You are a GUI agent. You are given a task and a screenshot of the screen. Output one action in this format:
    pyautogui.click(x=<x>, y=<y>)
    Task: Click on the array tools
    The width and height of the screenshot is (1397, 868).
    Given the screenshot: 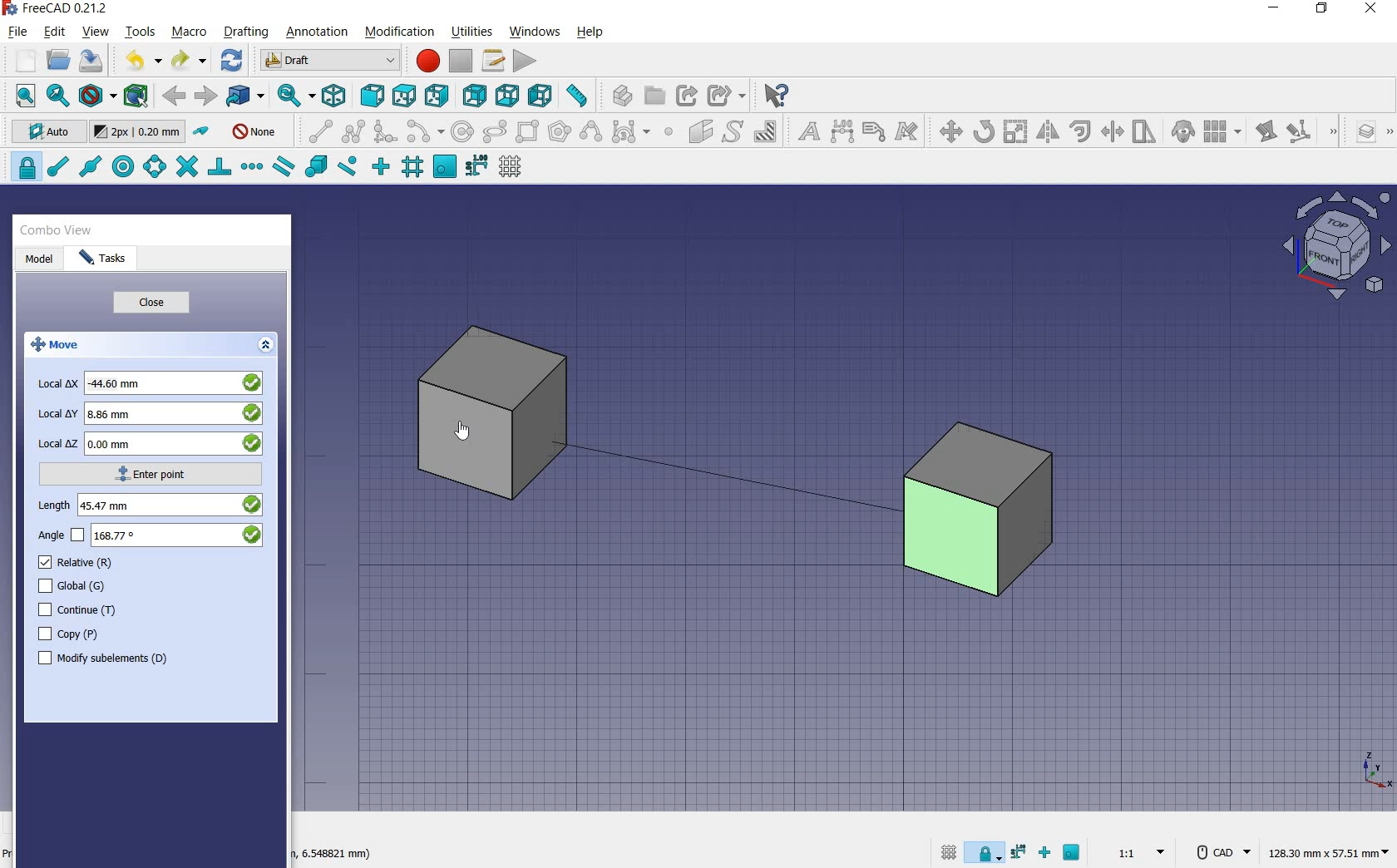 What is the action you would take?
    pyautogui.click(x=1221, y=131)
    